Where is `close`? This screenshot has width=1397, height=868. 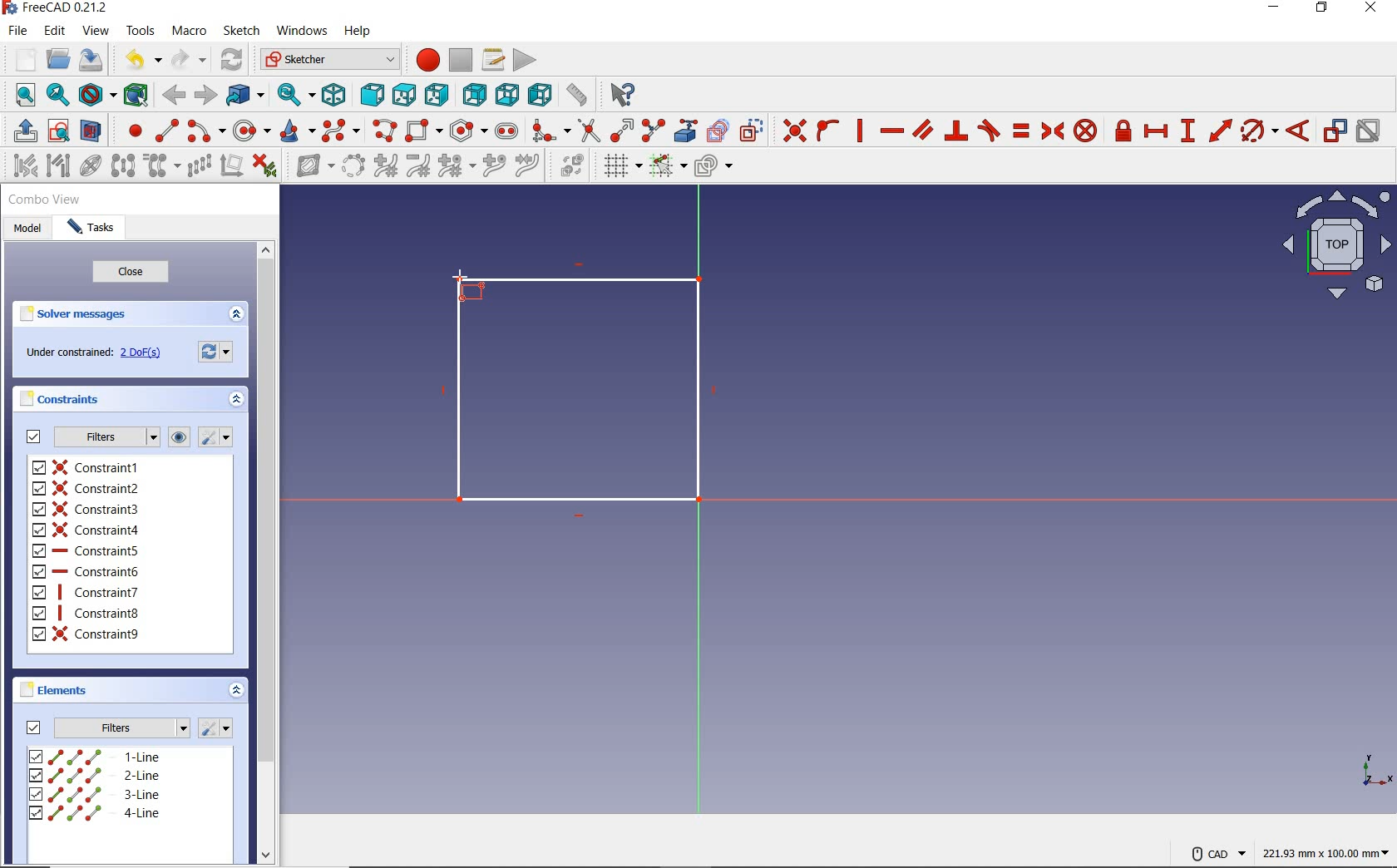 close is located at coordinates (131, 274).